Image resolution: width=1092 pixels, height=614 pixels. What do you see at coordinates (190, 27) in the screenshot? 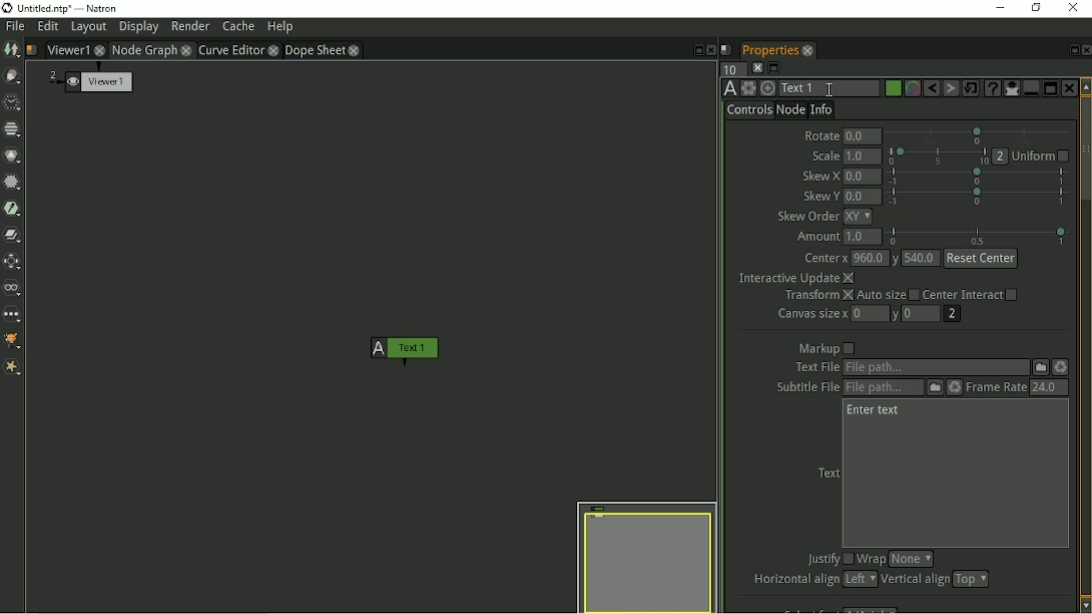
I see `Render` at bounding box center [190, 27].